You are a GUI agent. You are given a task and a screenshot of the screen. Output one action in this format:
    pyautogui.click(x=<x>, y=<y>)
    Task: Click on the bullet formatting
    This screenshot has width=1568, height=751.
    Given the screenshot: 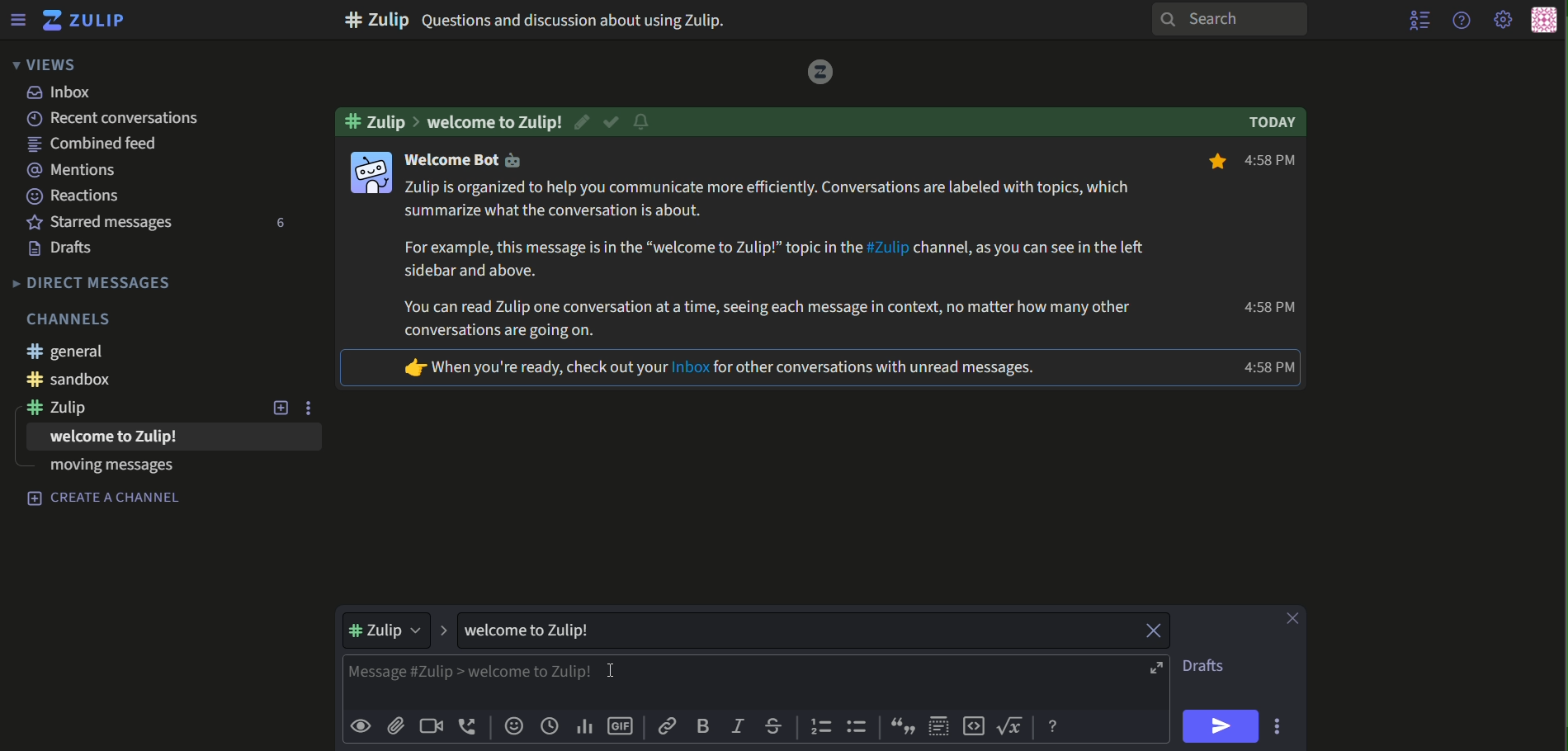 What is the action you would take?
    pyautogui.click(x=858, y=728)
    